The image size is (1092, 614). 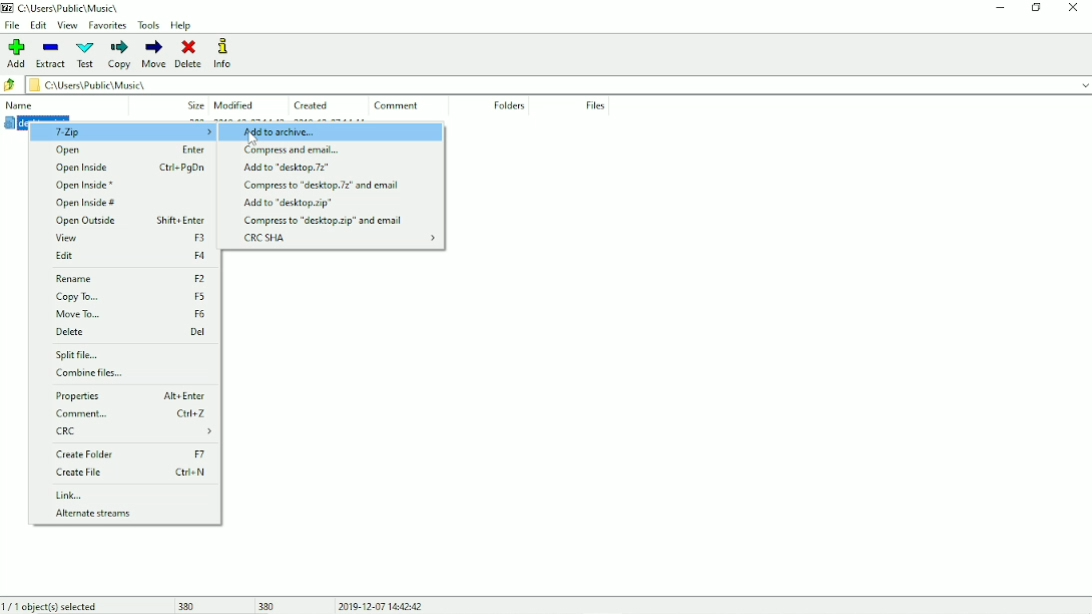 What do you see at coordinates (287, 204) in the screenshot?
I see `Add to "desktop.zip"` at bounding box center [287, 204].